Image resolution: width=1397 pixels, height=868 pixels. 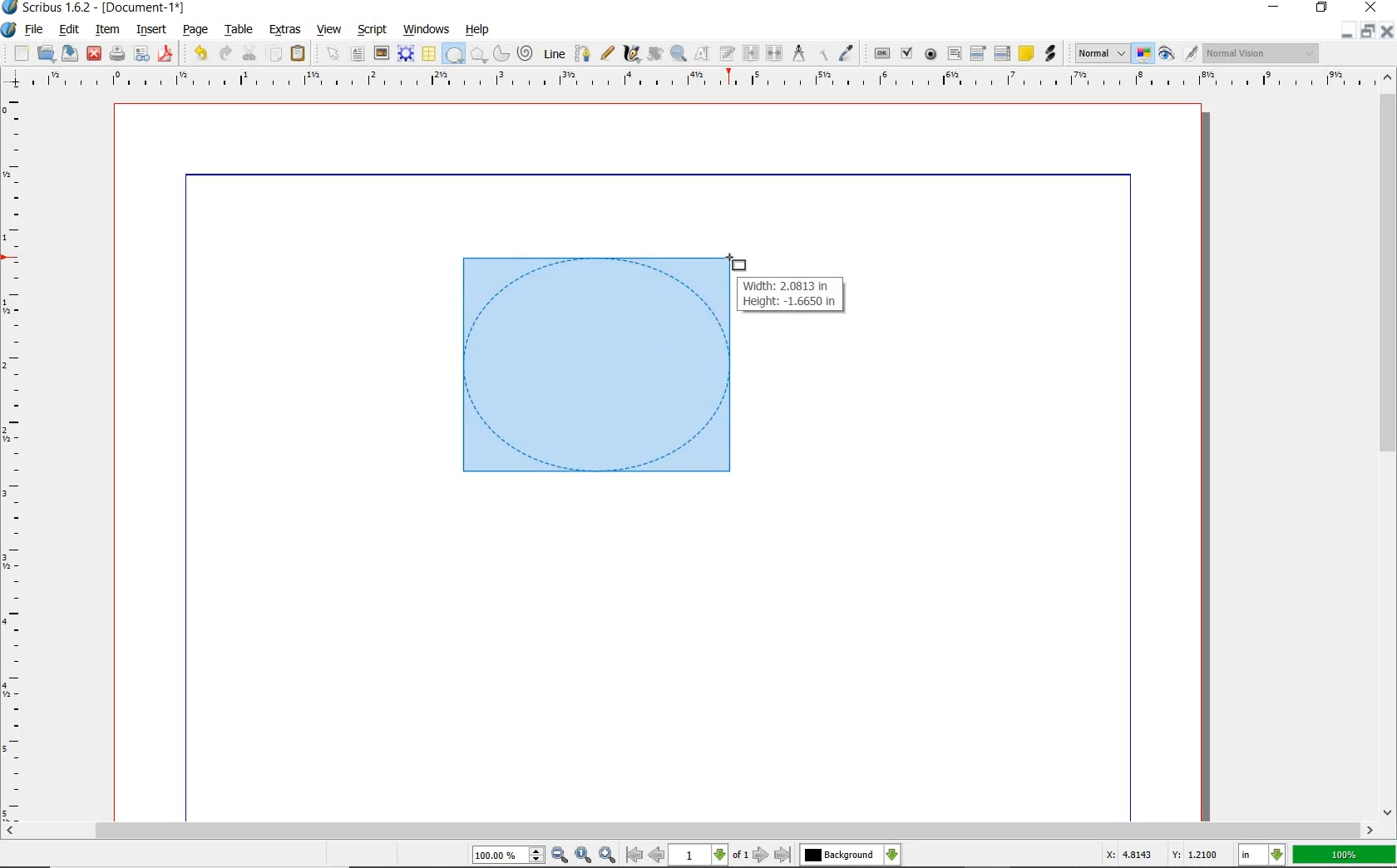 What do you see at coordinates (329, 28) in the screenshot?
I see `VIEW` at bounding box center [329, 28].